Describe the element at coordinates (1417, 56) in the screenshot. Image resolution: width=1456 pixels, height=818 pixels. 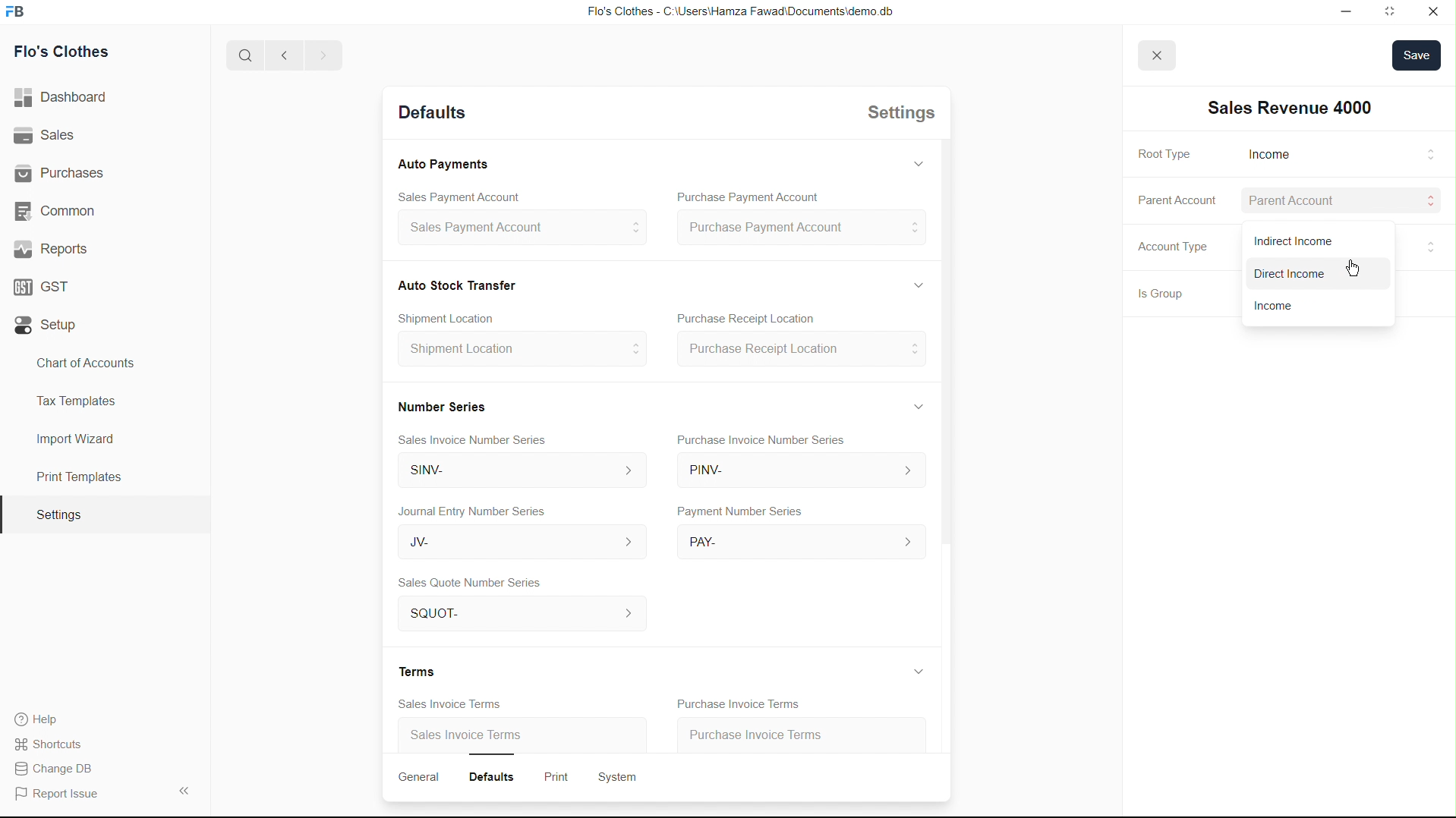
I see `save` at that location.